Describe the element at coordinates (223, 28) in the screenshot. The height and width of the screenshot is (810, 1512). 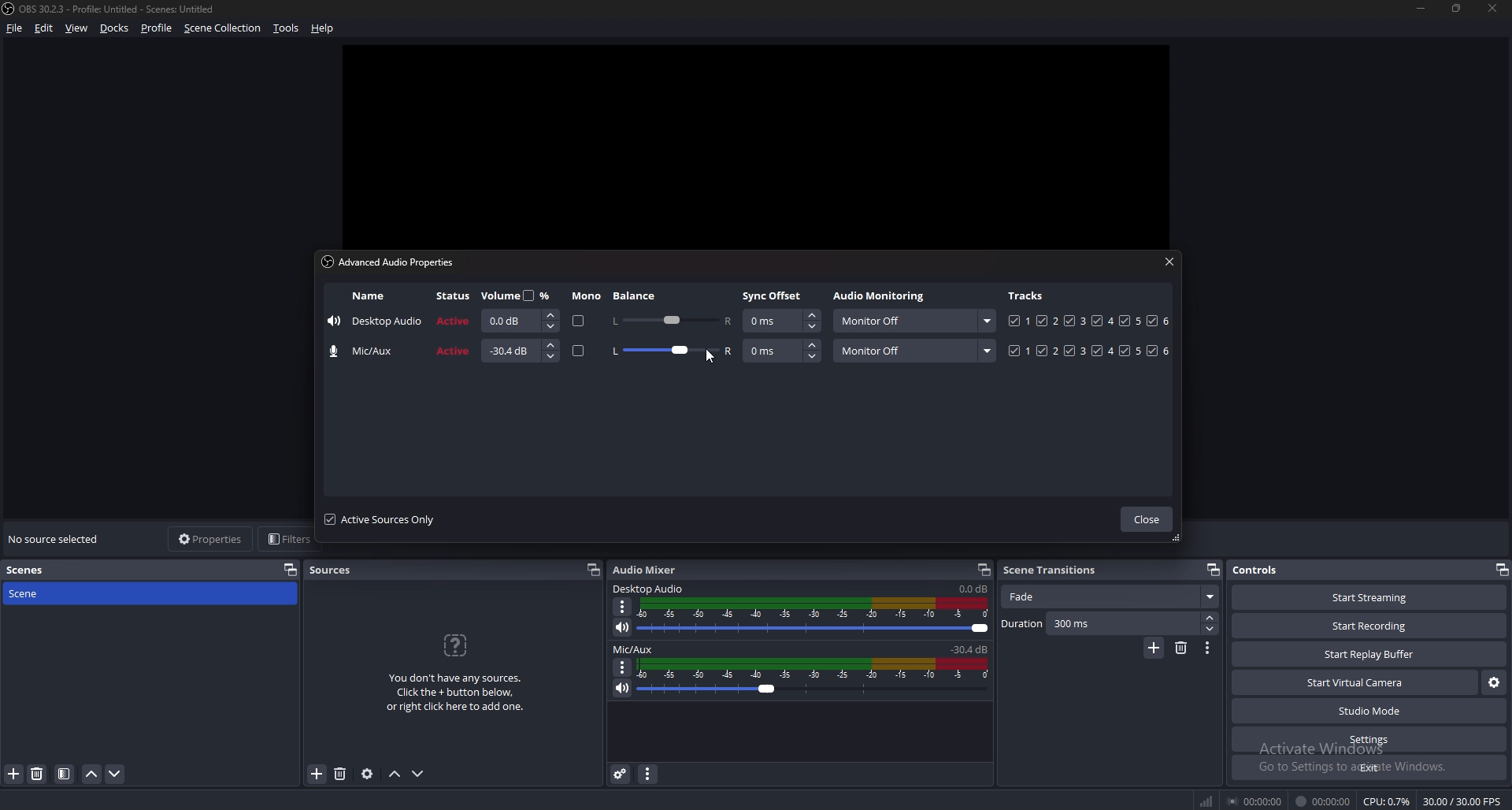
I see `scene collection` at that location.